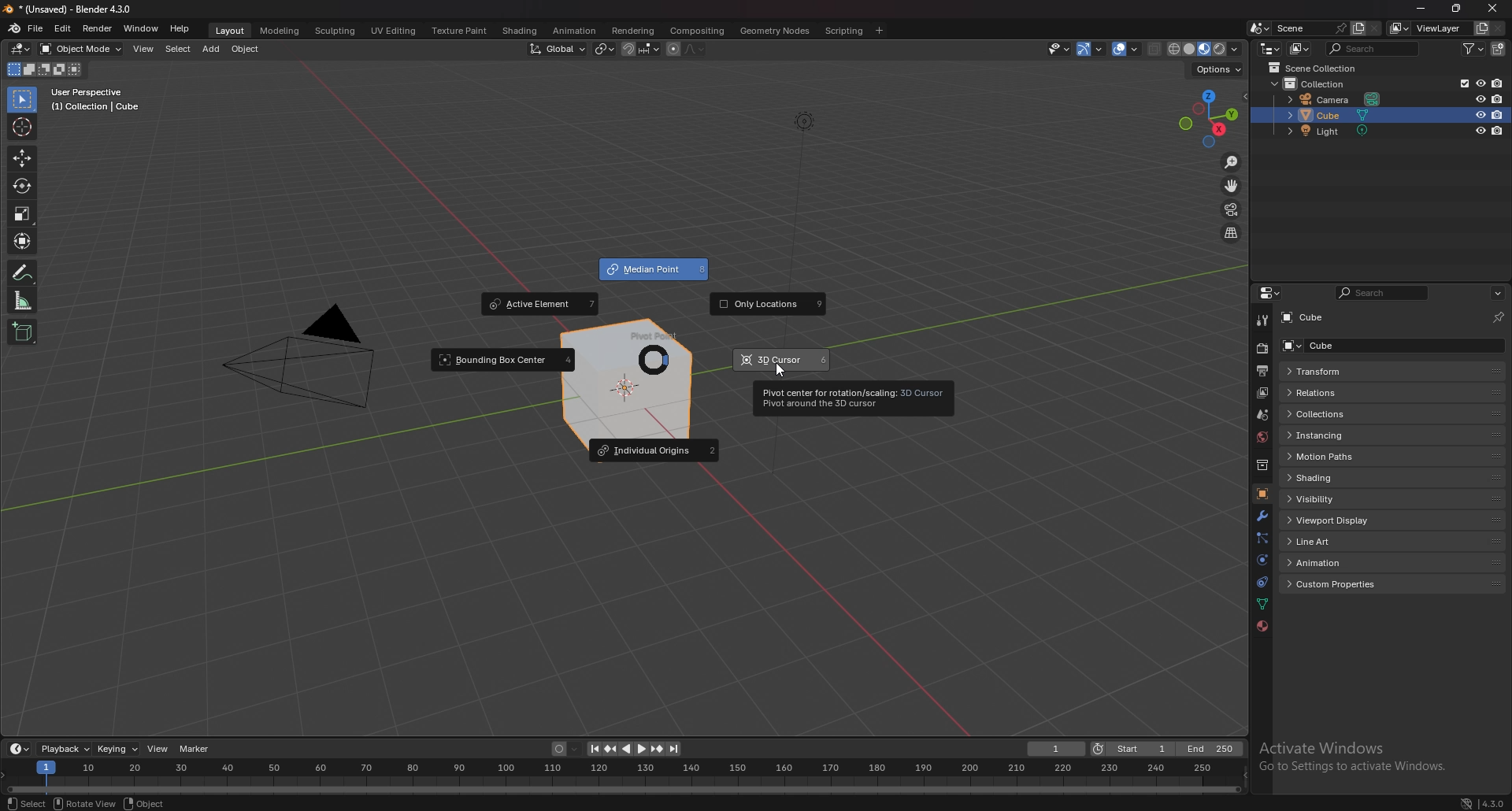 The width and height of the screenshot is (1512, 811). What do you see at coordinates (1232, 209) in the screenshot?
I see `camera view` at bounding box center [1232, 209].